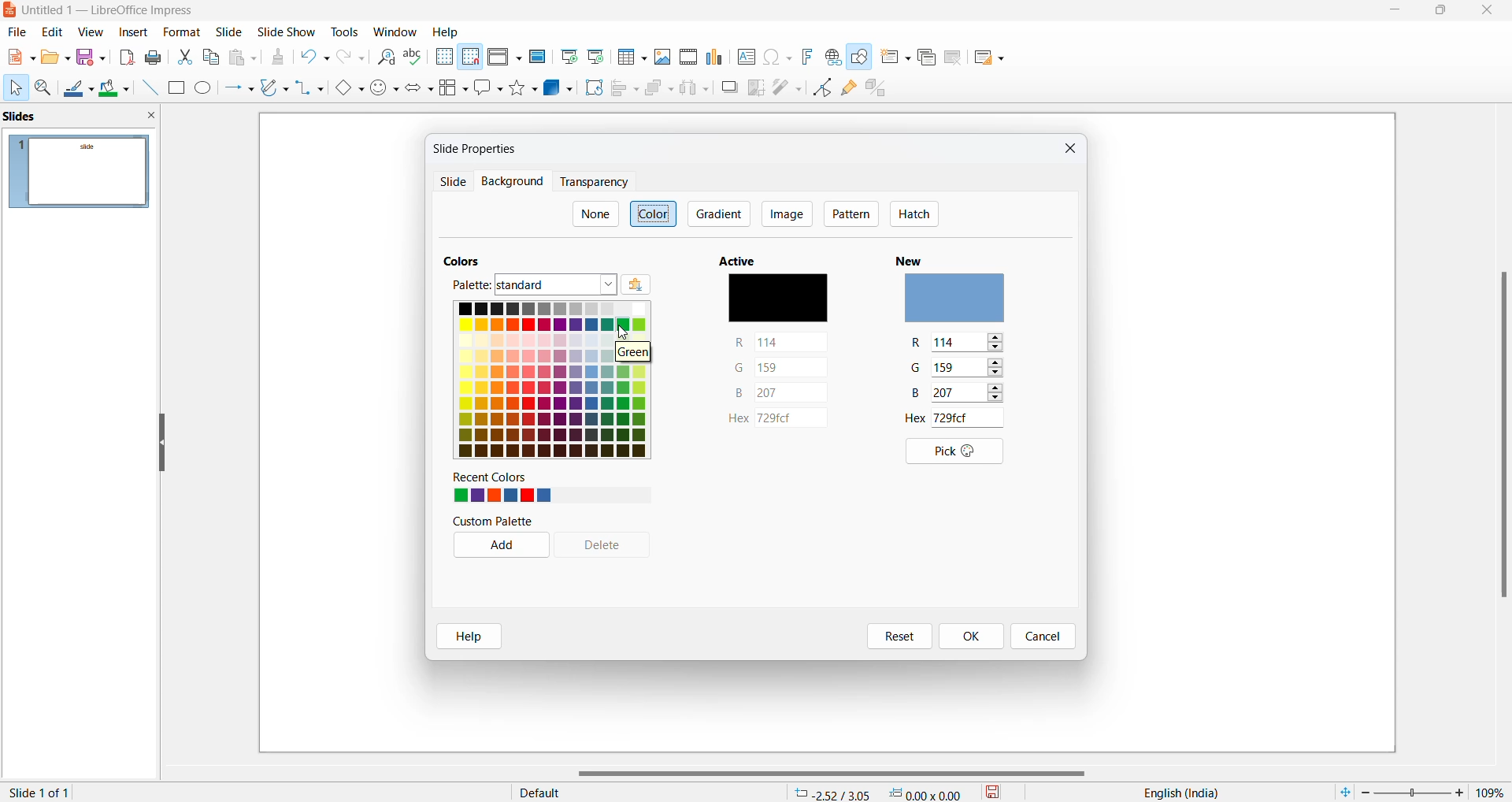 The width and height of the screenshot is (1512, 802). Describe the element at coordinates (776, 420) in the screenshot. I see `hex` at that location.